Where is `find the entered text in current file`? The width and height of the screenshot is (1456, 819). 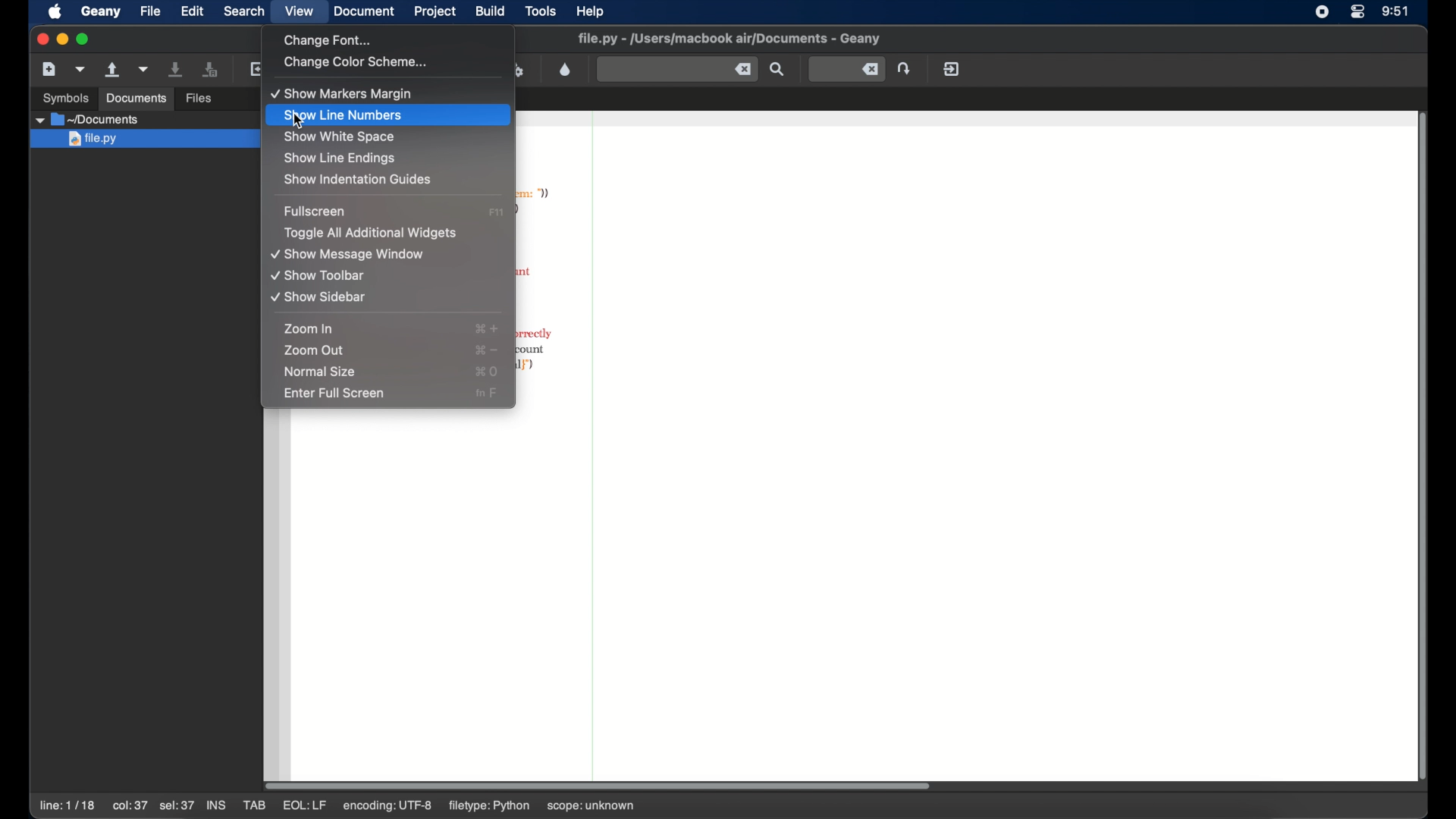 find the entered text in current file is located at coordinates (676, 70).